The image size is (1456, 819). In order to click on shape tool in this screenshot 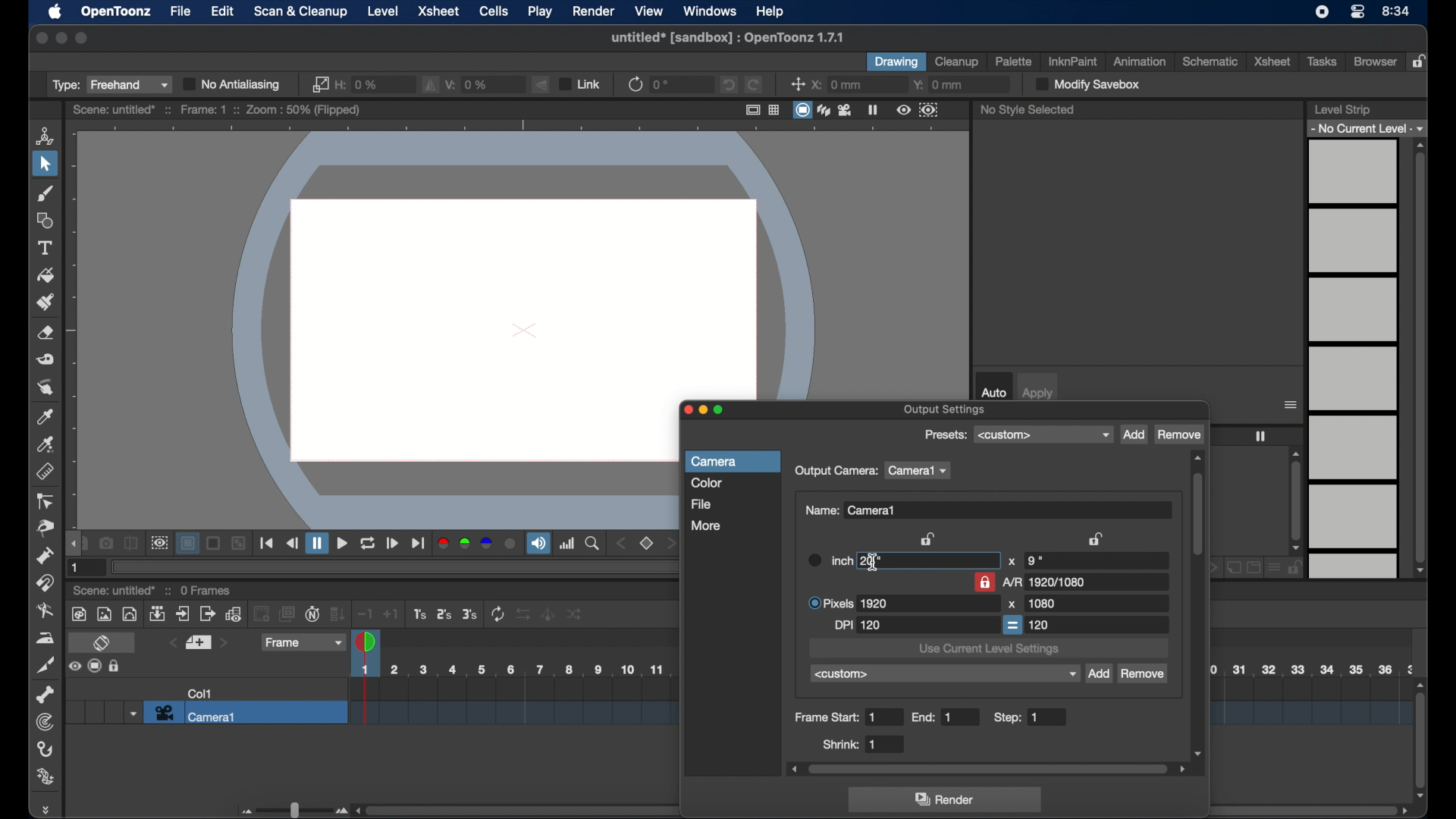, I will do `click(45, 220)`.